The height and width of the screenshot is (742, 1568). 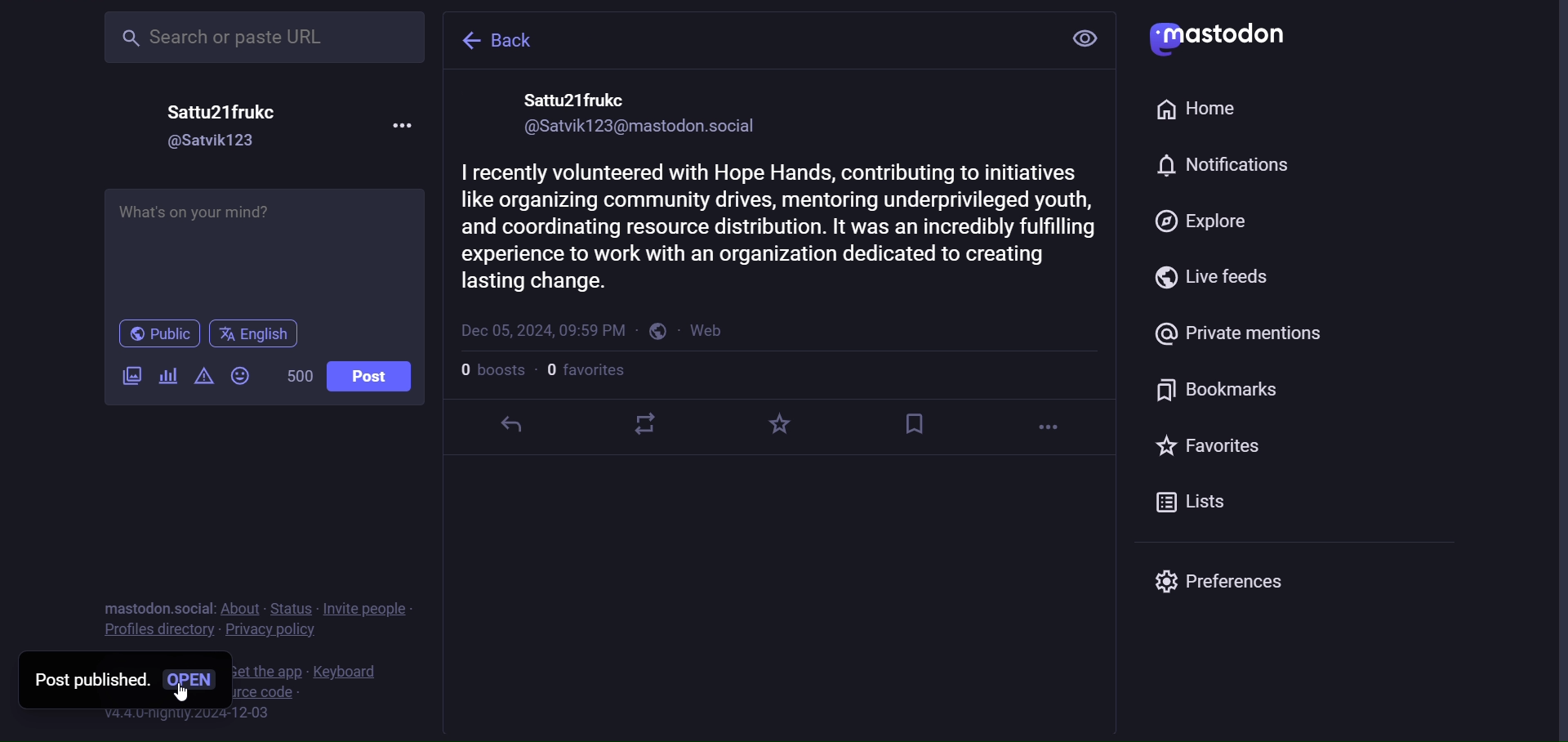 What do you see at coordinates (370, 603) in the screenshot?
I see `invite people` at bounding box center [370, 603].